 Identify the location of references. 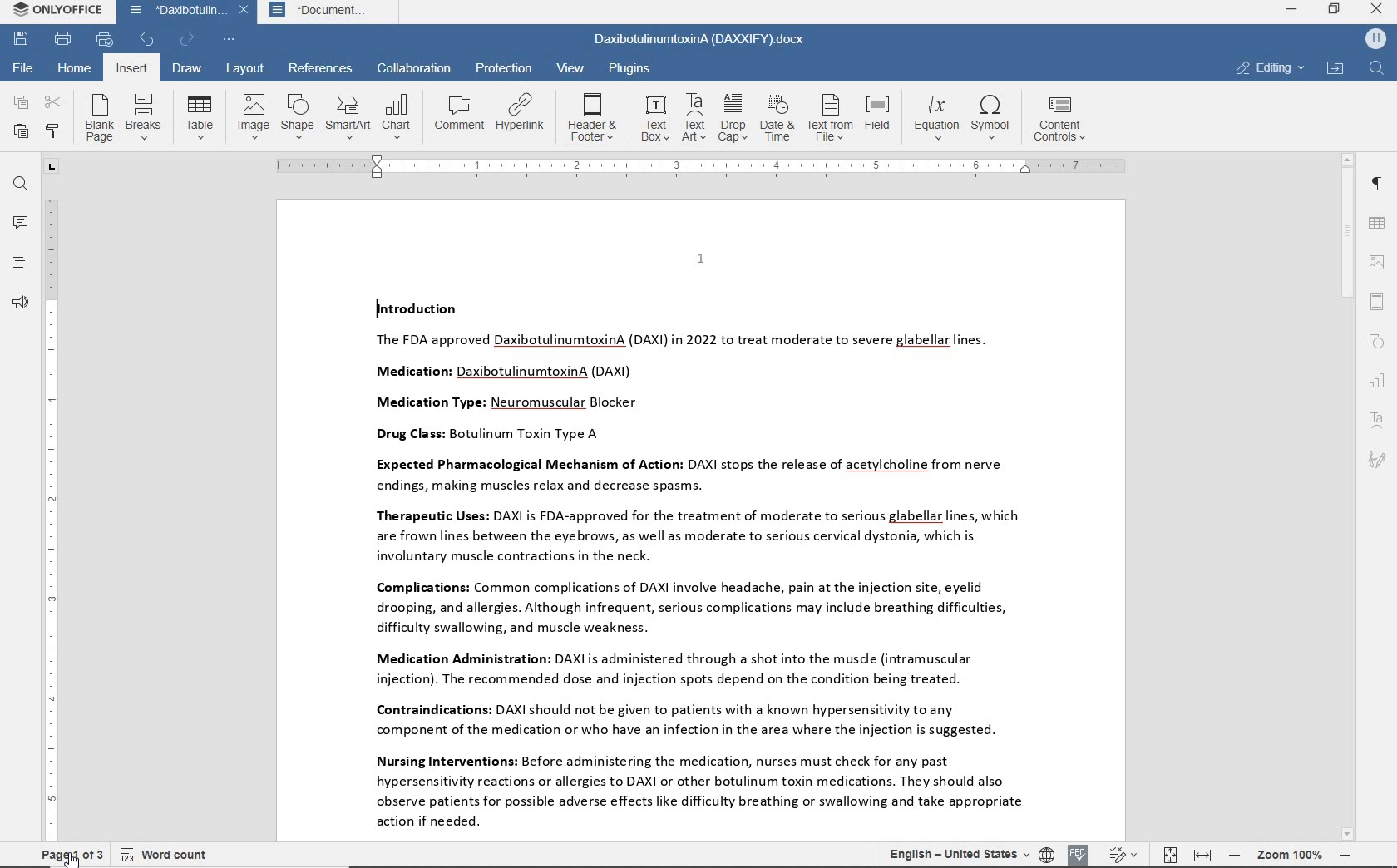
(321, 67).